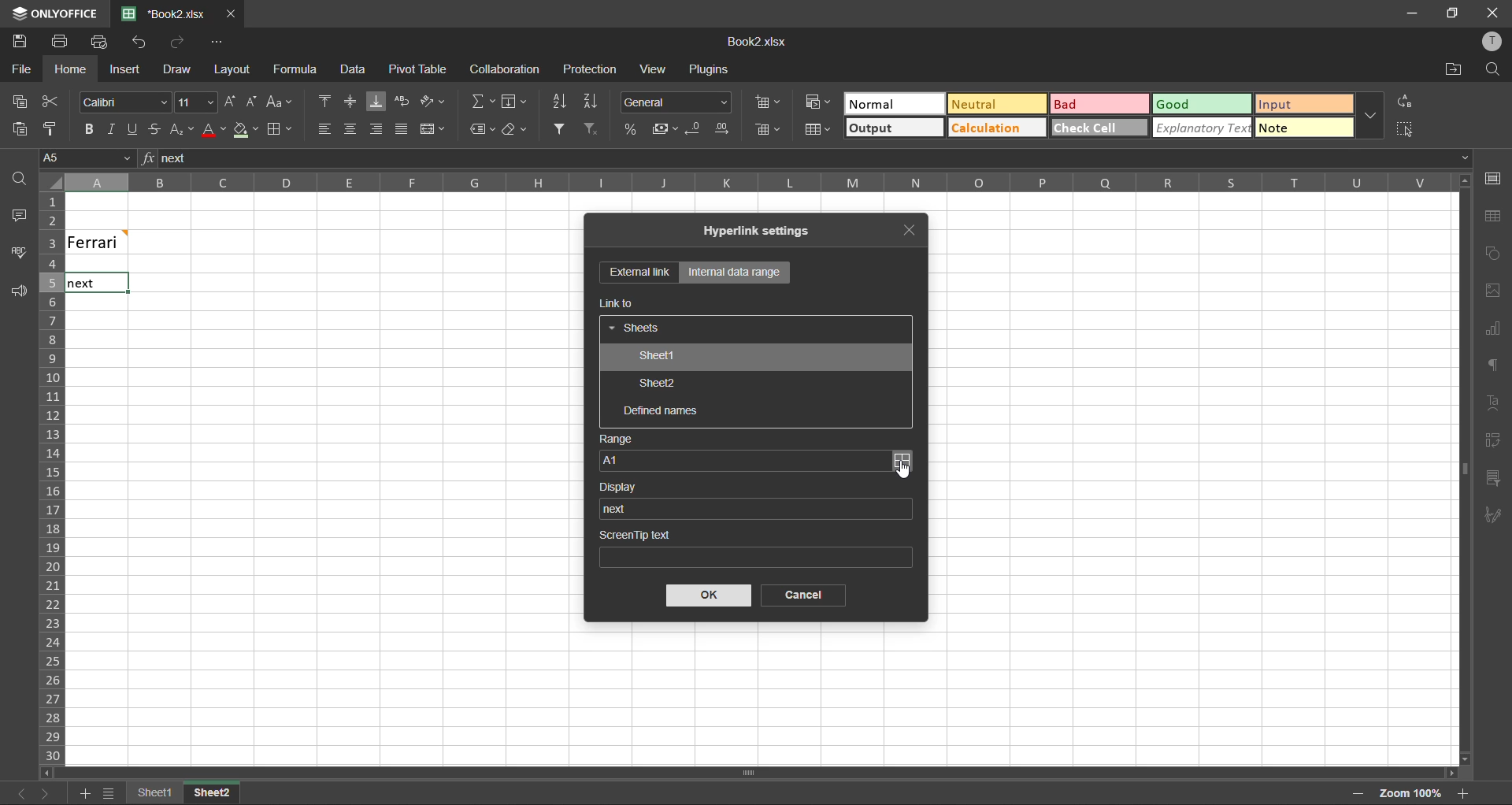  I want to click on cut, so click(50, 101).